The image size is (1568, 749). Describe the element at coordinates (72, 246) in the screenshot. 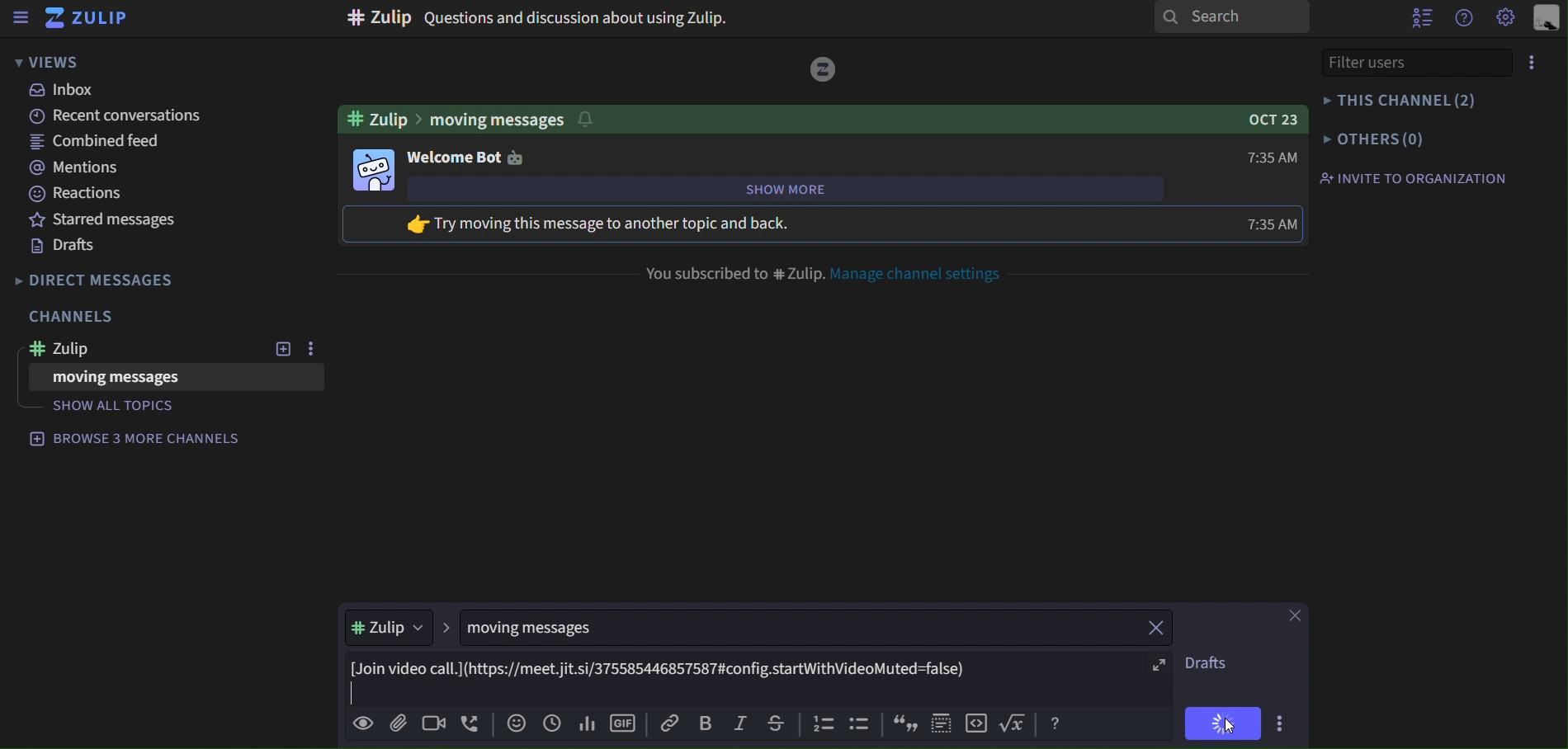

I see `drafts` at that location.